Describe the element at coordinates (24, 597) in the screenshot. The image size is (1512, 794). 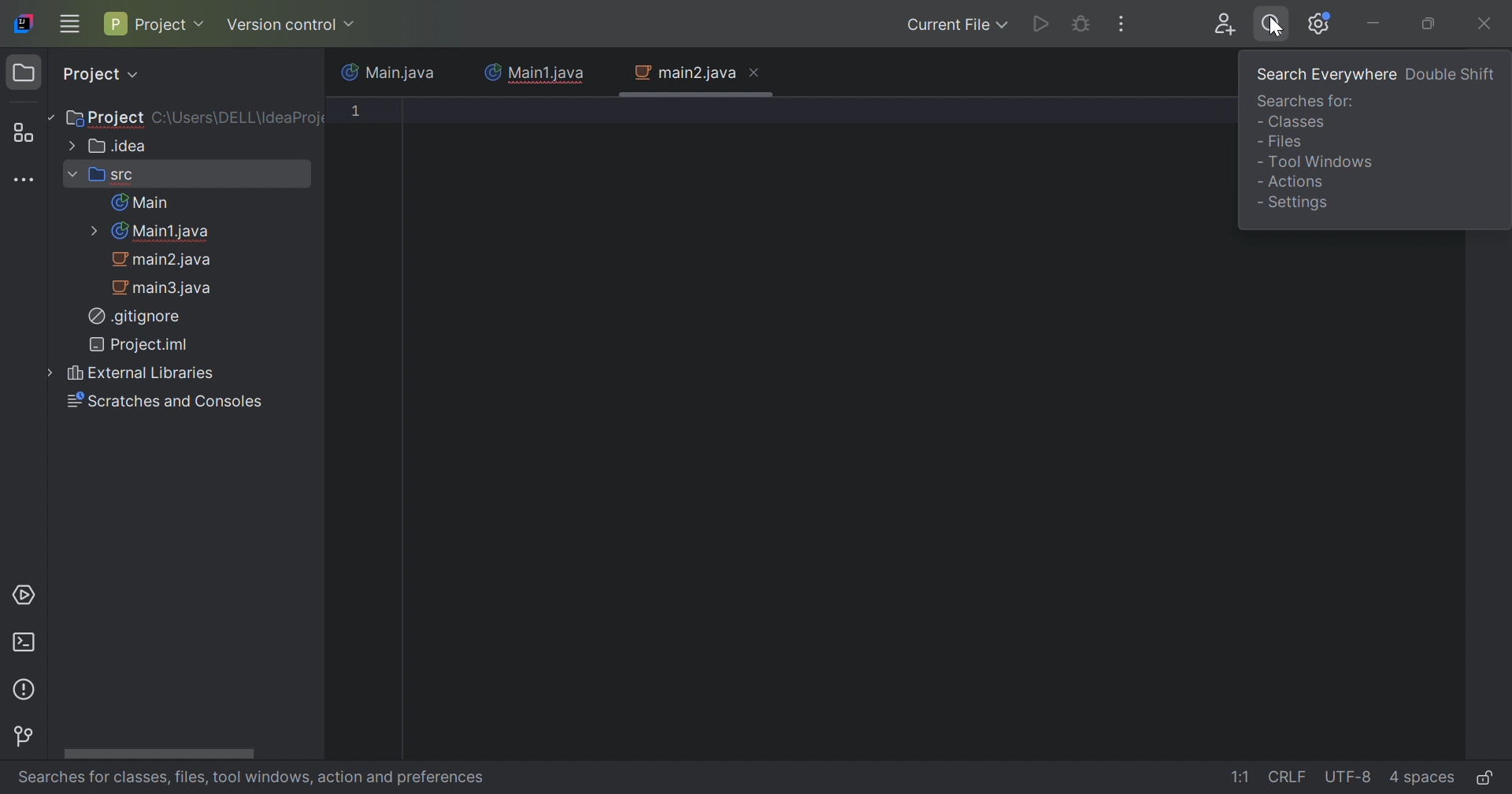
I see `Services` at that location.